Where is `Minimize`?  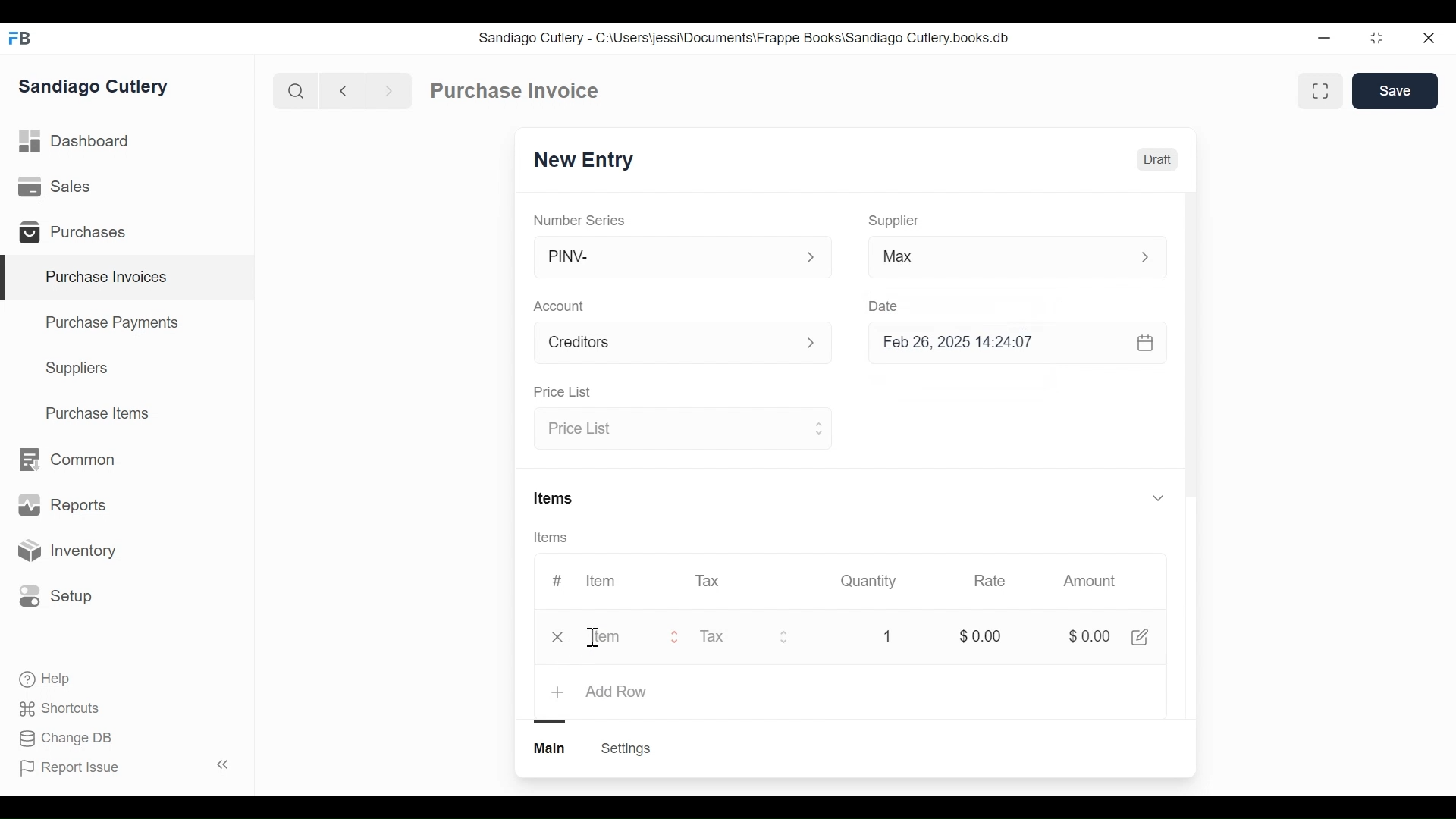
Minimize is located at coordinates (1321, 39).